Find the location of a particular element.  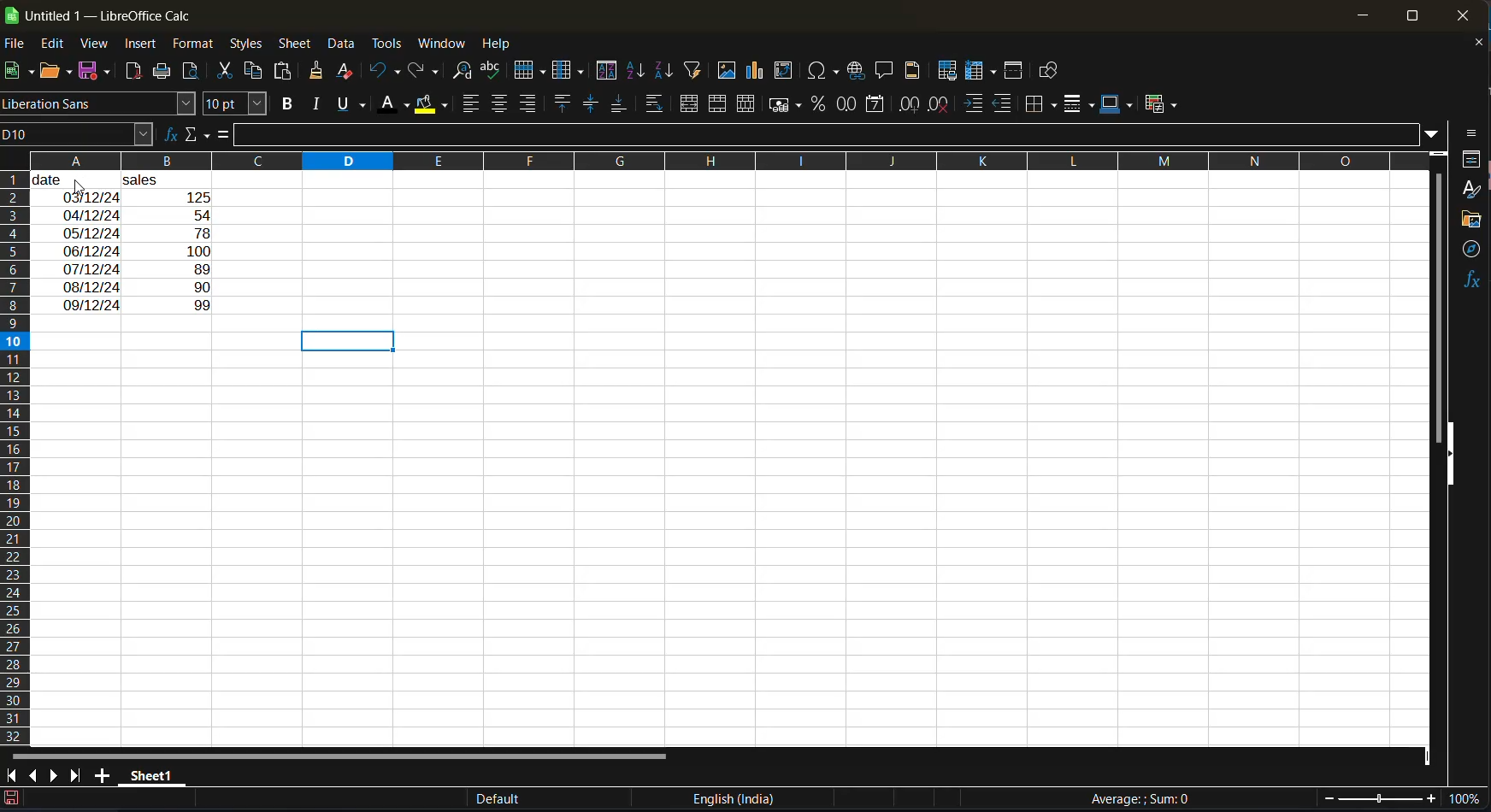

border style is located at coordinates (1078, 106).